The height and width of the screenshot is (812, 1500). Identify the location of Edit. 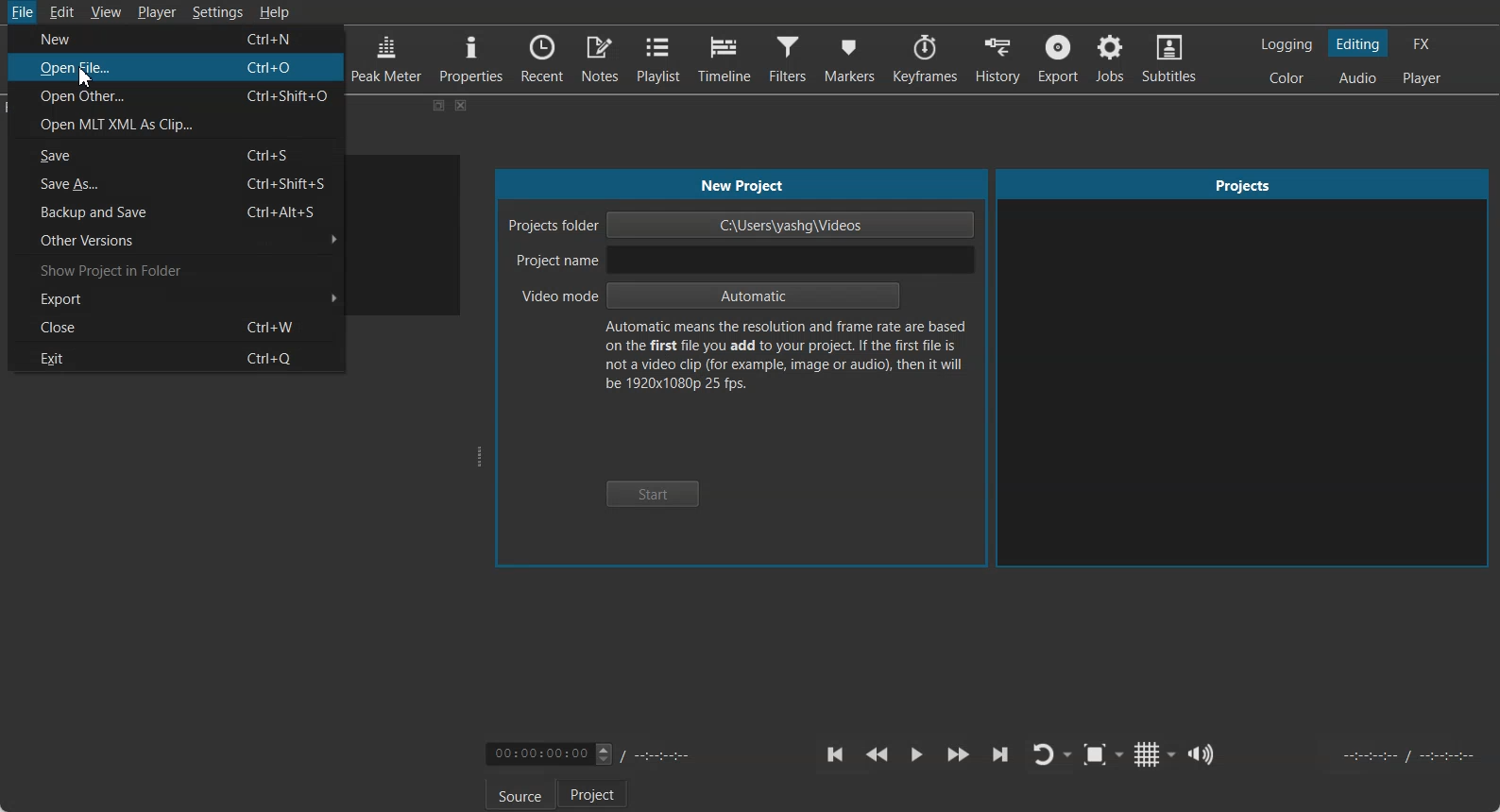
(62, 11).